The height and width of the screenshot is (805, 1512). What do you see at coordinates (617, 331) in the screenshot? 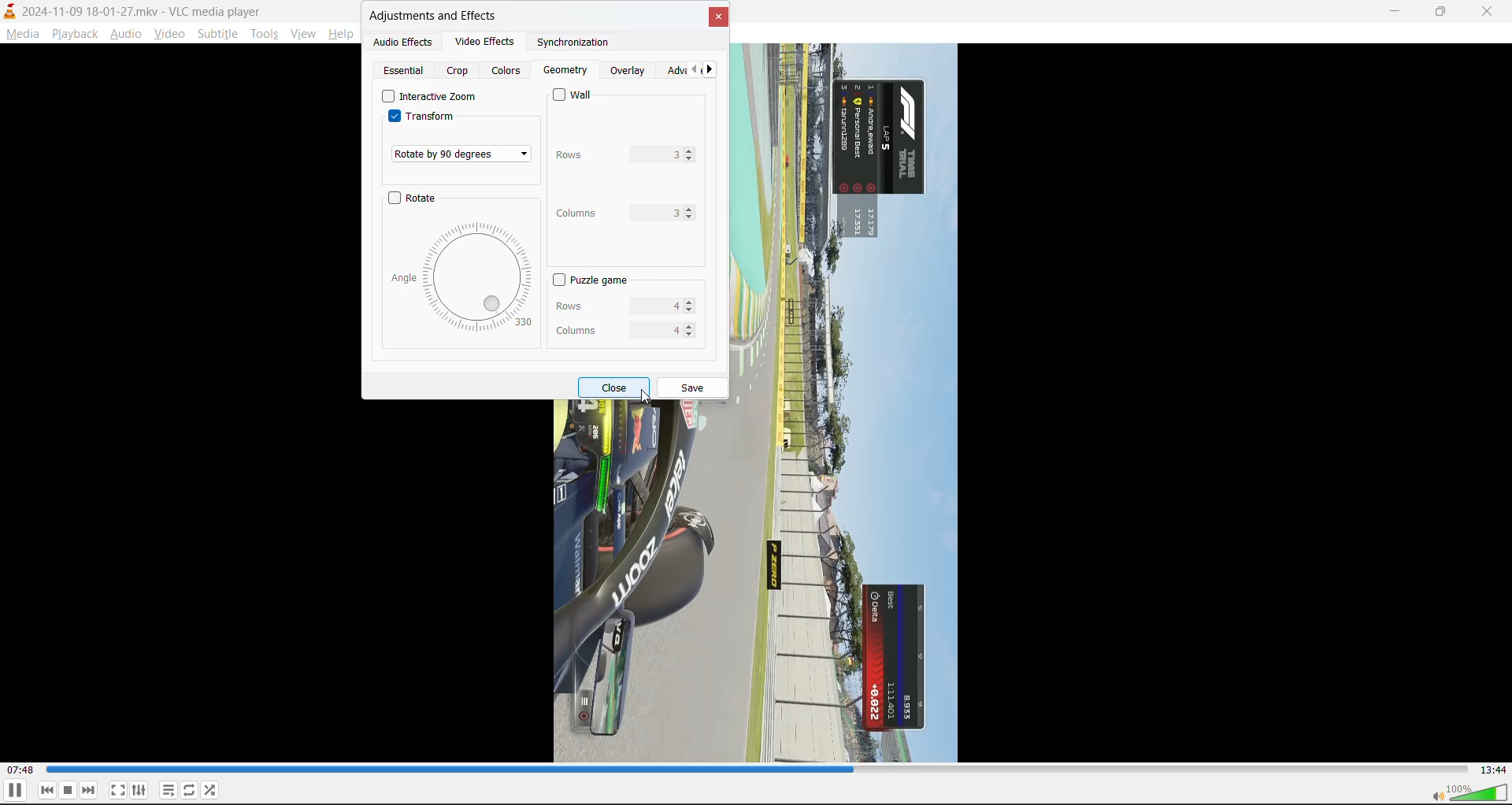
I see `columns` at bounding box center [617, 331].